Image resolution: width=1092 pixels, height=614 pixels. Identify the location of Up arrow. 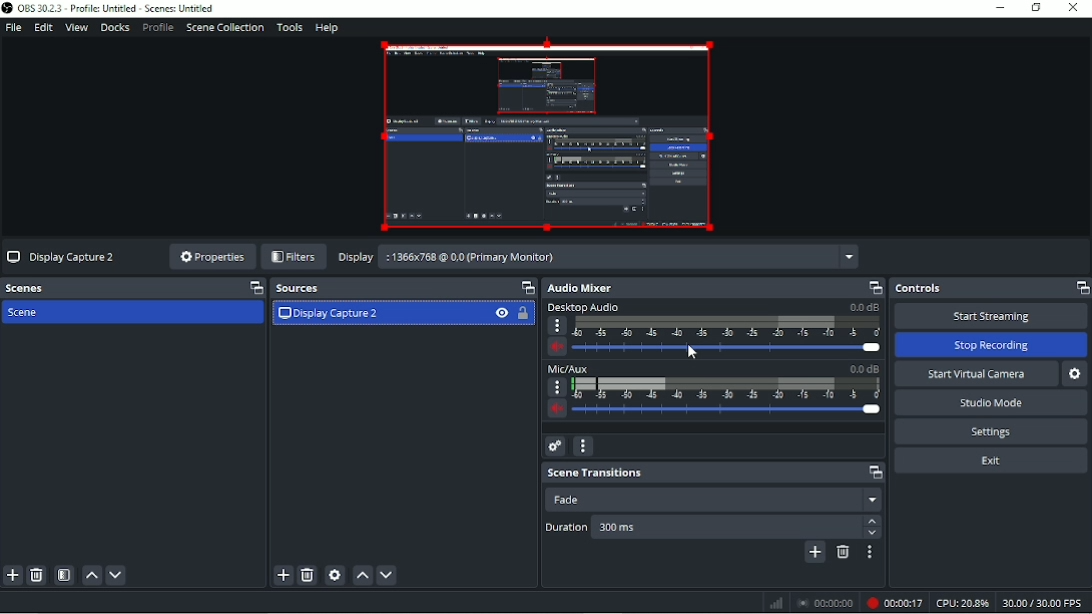
(871, 521).